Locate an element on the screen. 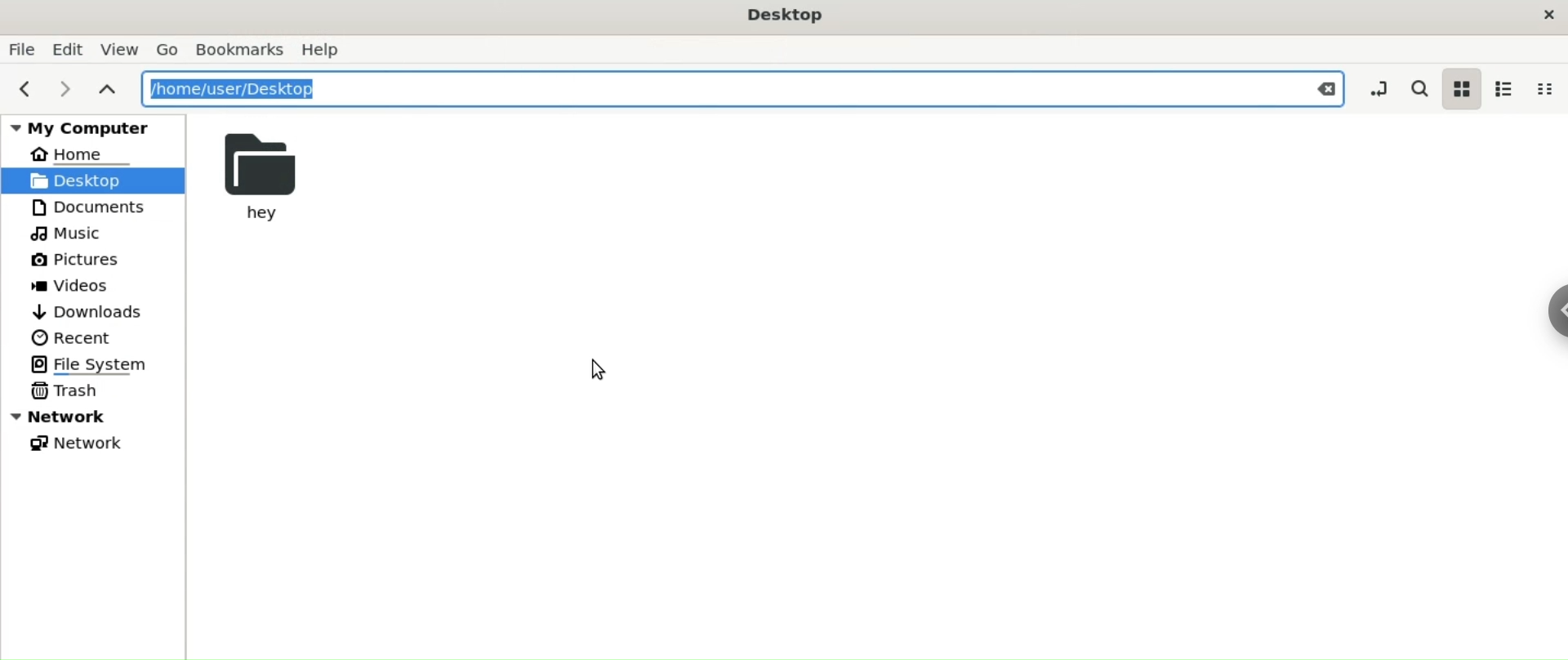  Bookmarks is located at coordinates (243, 48).